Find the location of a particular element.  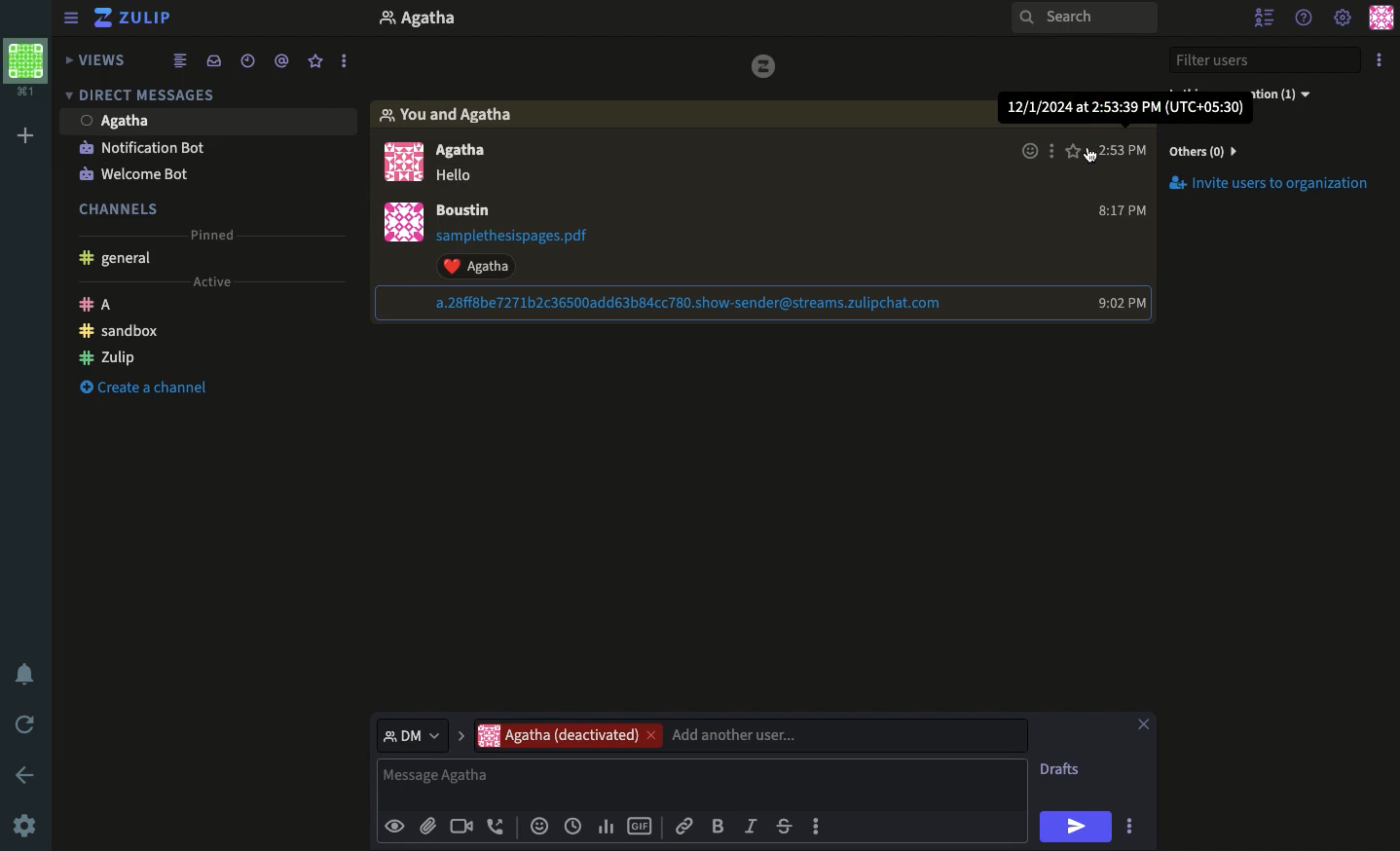

Video is located at coordinates (461, 827).